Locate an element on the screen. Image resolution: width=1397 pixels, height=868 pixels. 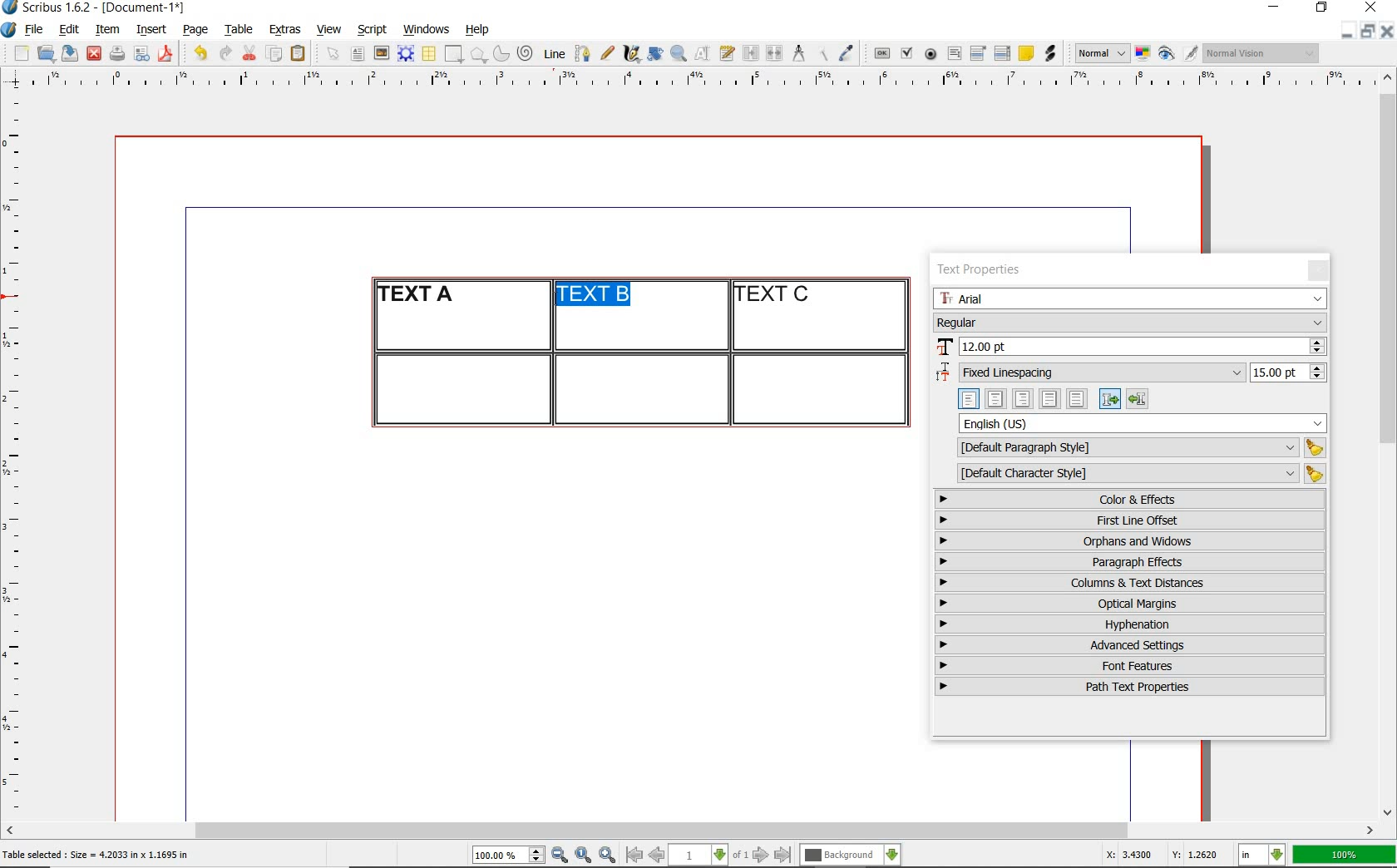
measurements is located at coordinates (798, 54).